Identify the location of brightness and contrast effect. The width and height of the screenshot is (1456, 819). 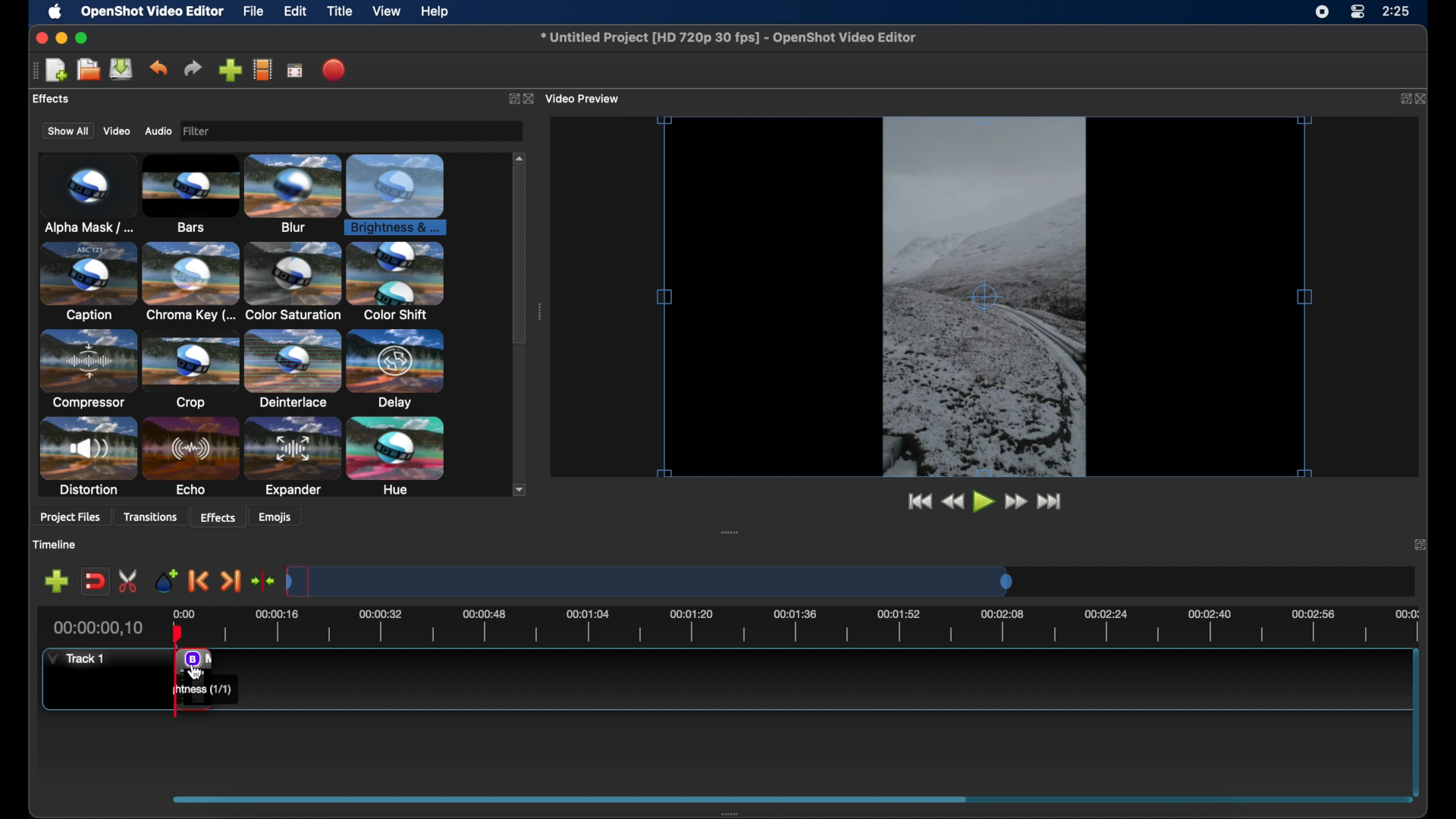
(191, 657).